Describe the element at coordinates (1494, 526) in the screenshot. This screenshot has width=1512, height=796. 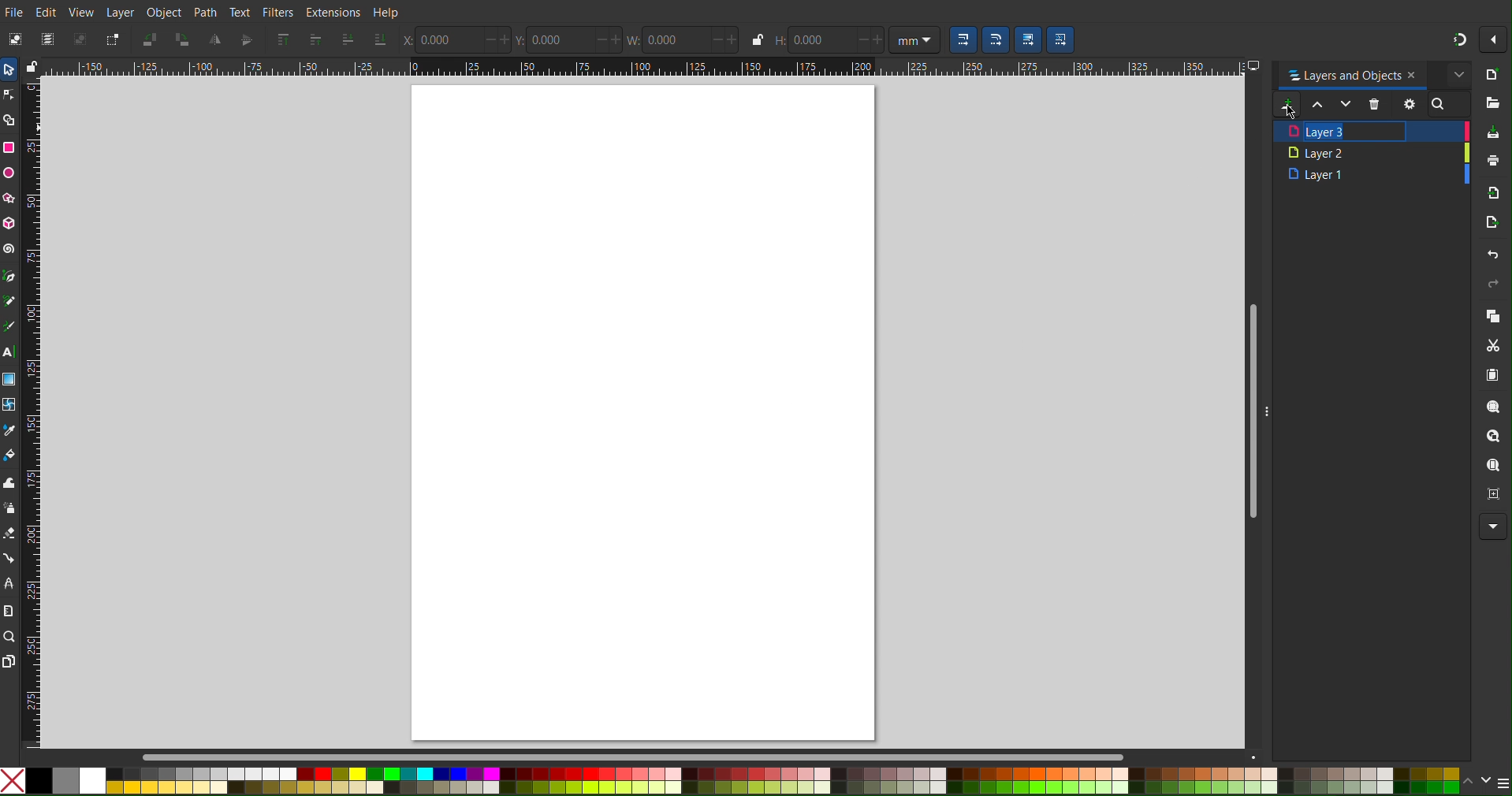
I see `More Options` at that location.